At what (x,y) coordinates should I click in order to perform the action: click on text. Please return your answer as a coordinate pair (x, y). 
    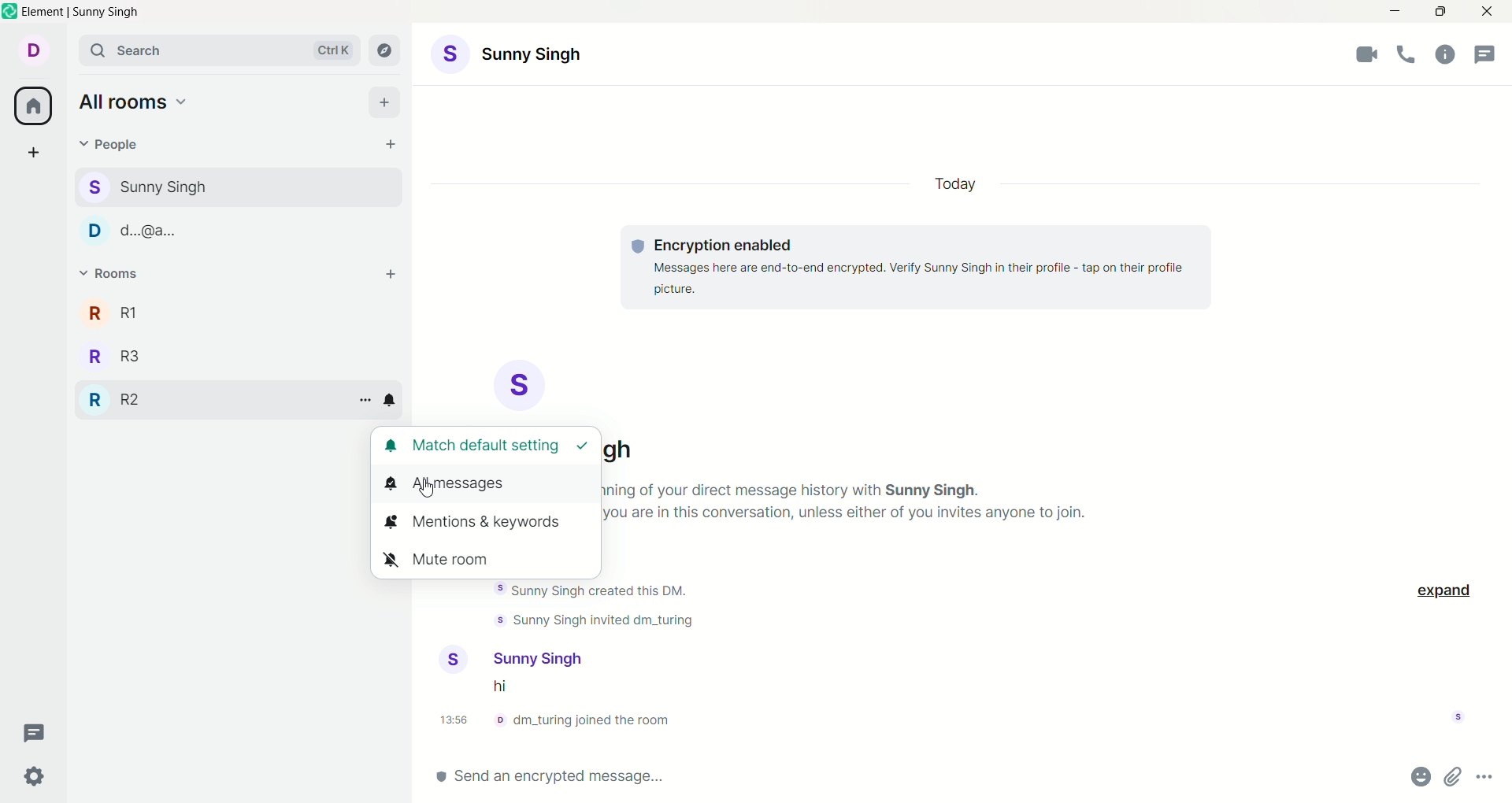
    Looking at the image, I should click on (918, 270).